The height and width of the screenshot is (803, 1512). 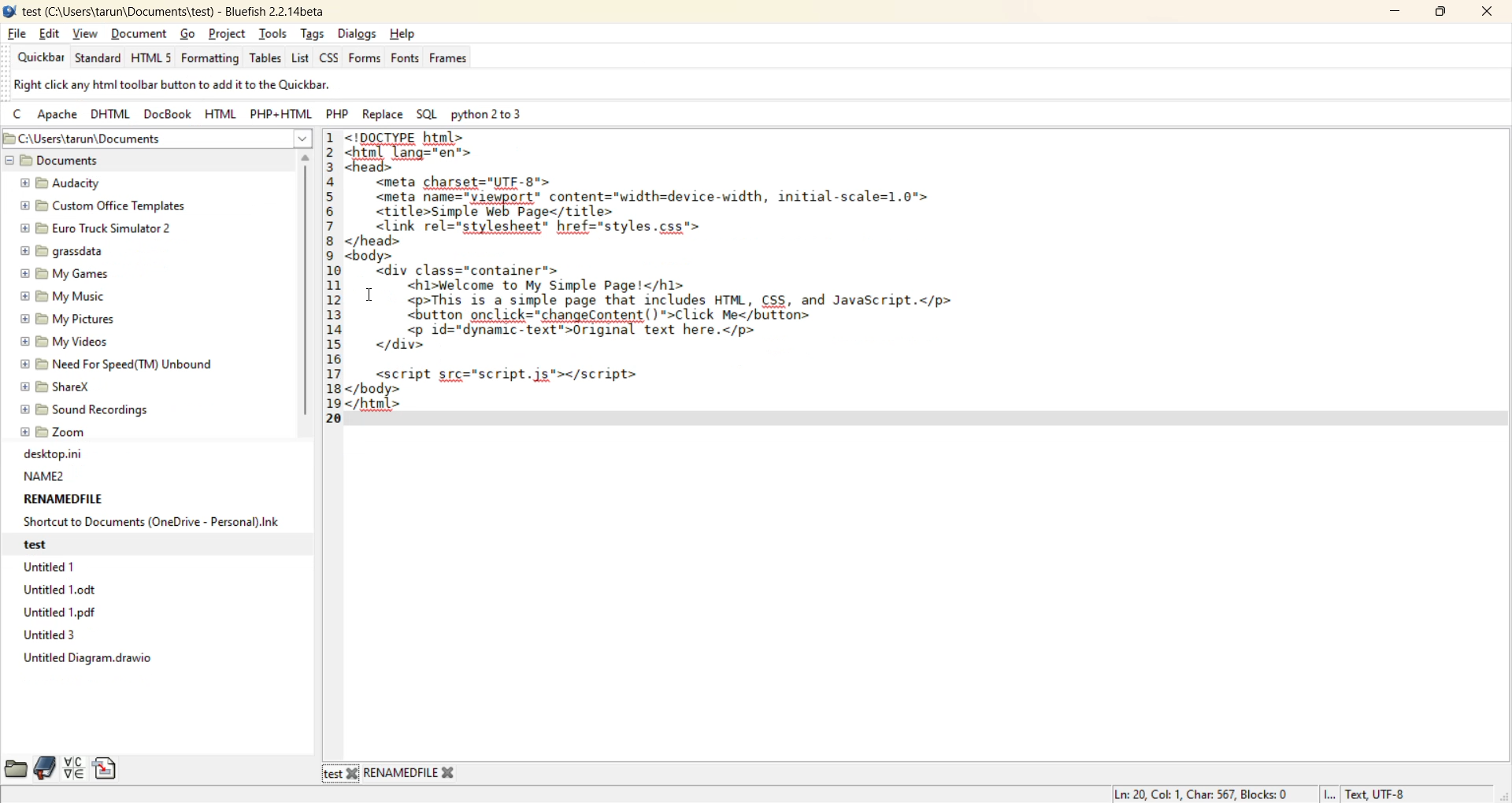 I want to click on bookmarks, so click(x=46, y=767).